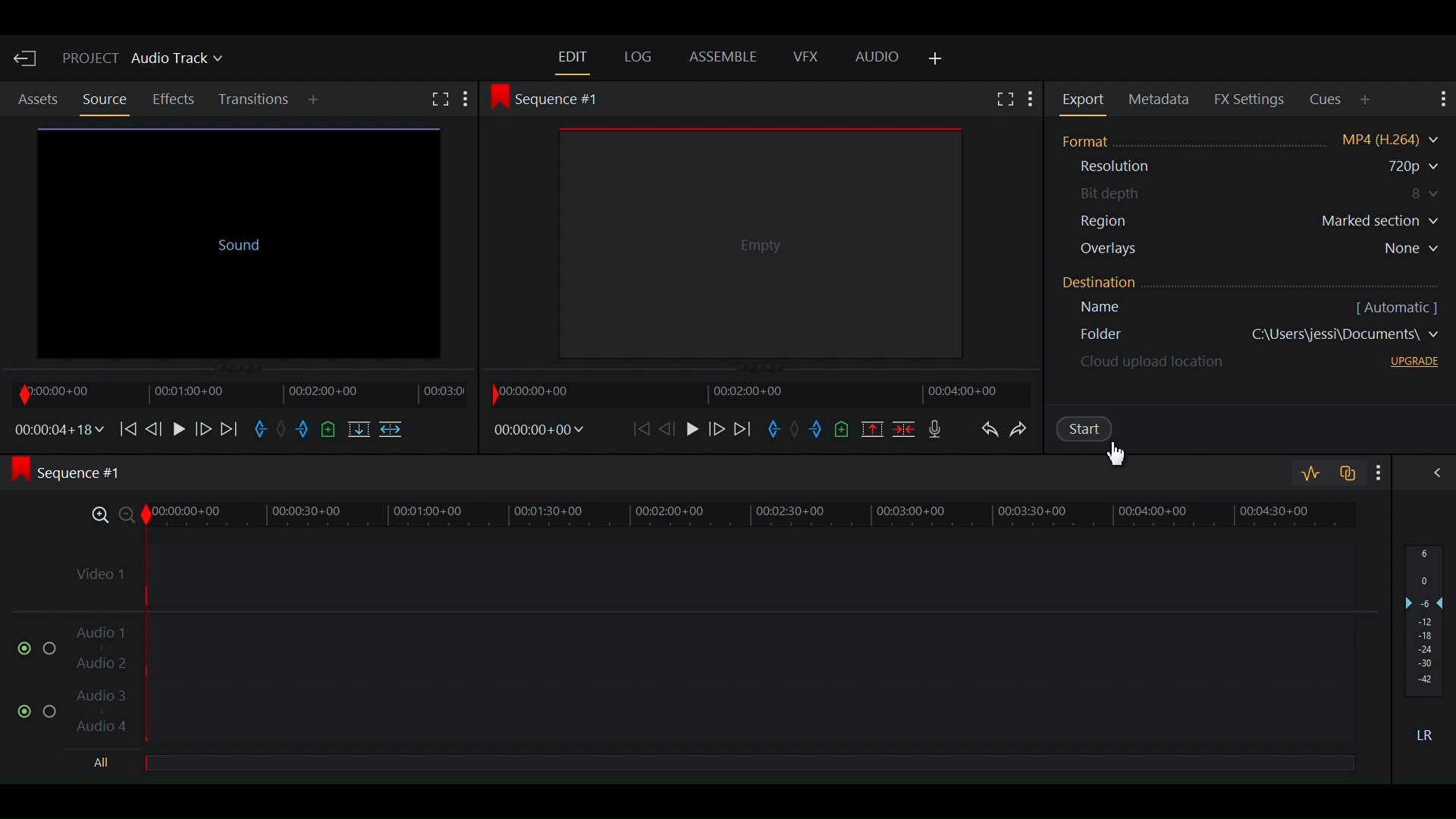 This screenshot has width=1456, height=819. I want to click on Nudge one frame back, so click(671, 428).